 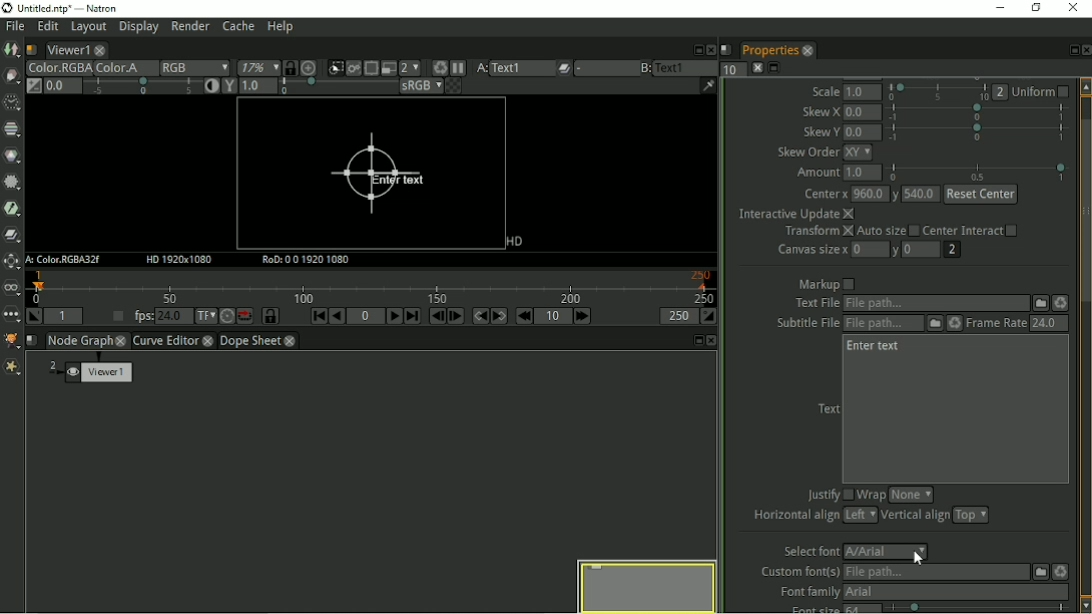 What do you see at coordinates (806, 592) in the screenshot?
I see `Font family` at bounding box center [806, 592].